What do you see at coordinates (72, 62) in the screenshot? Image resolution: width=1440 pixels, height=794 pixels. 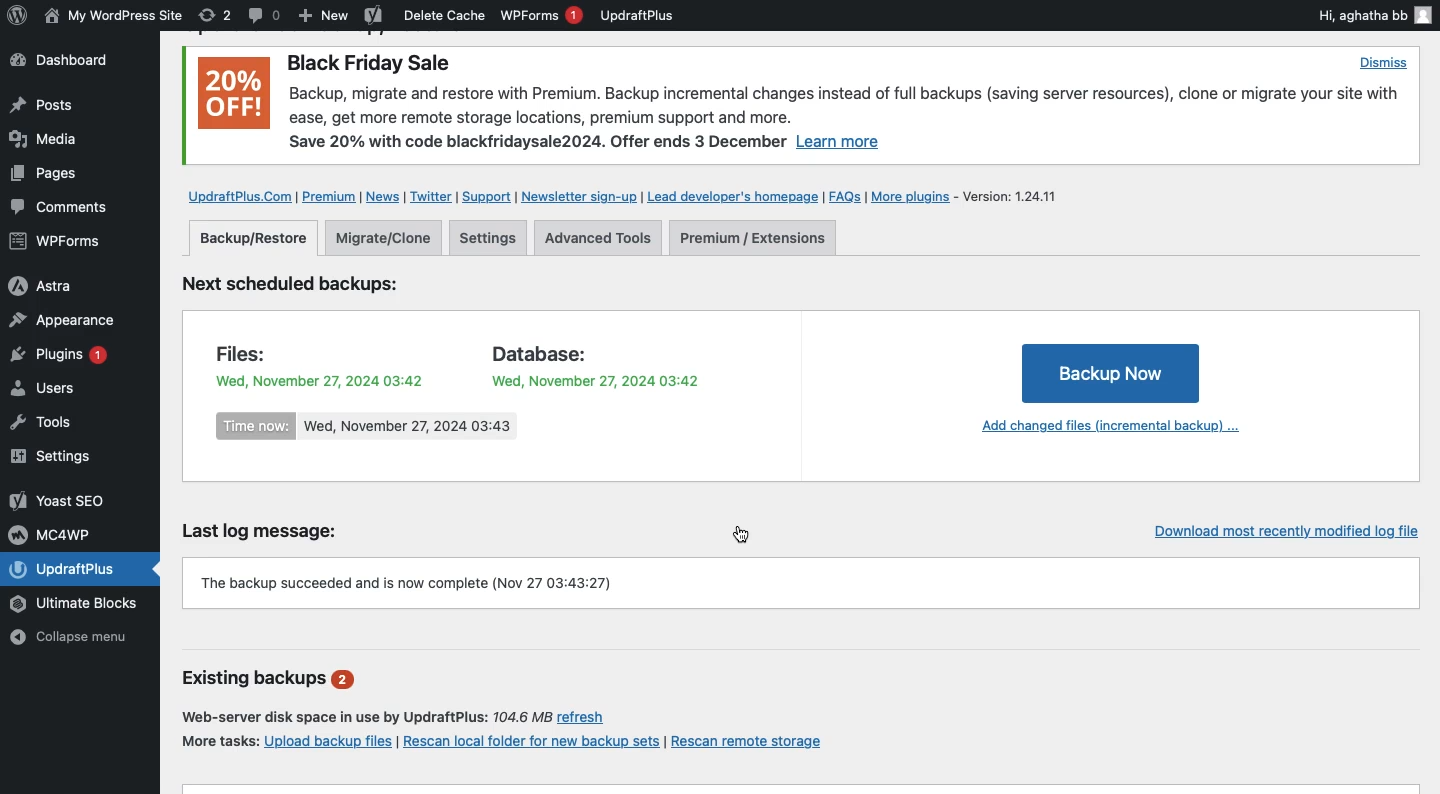 I see `Dashboard` at bounding box center [72, 62].